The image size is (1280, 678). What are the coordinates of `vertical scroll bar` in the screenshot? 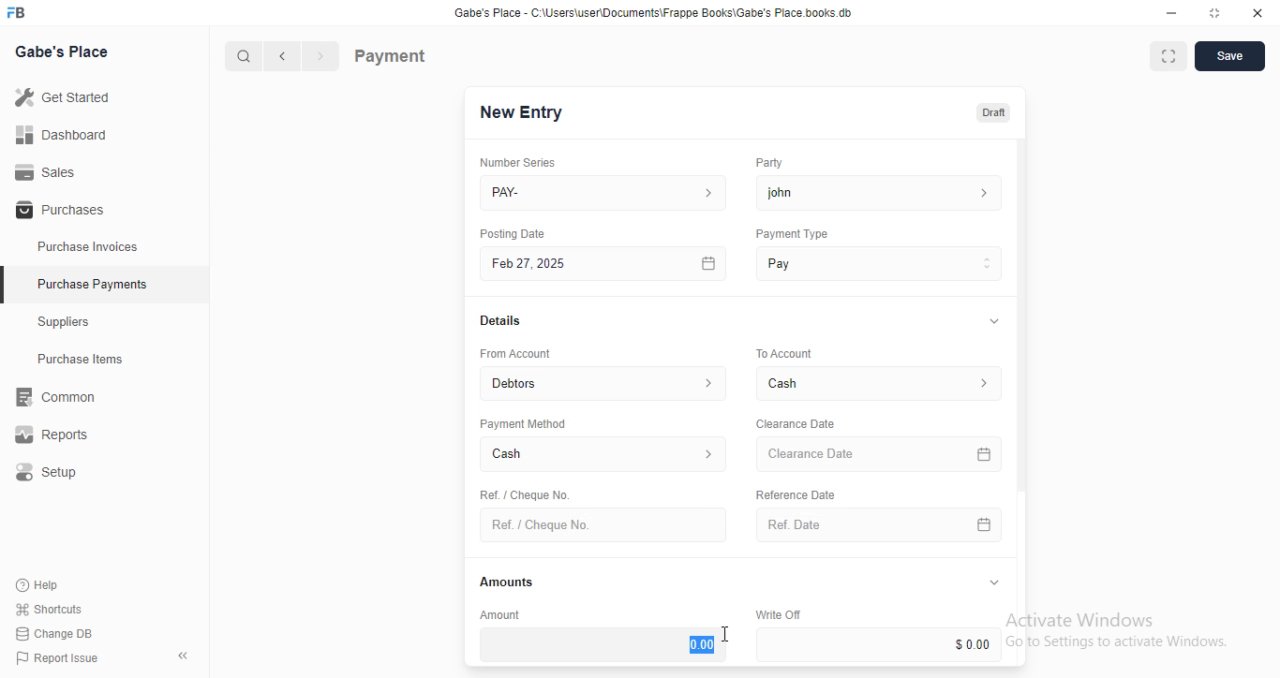 It's located at (1022, 403).